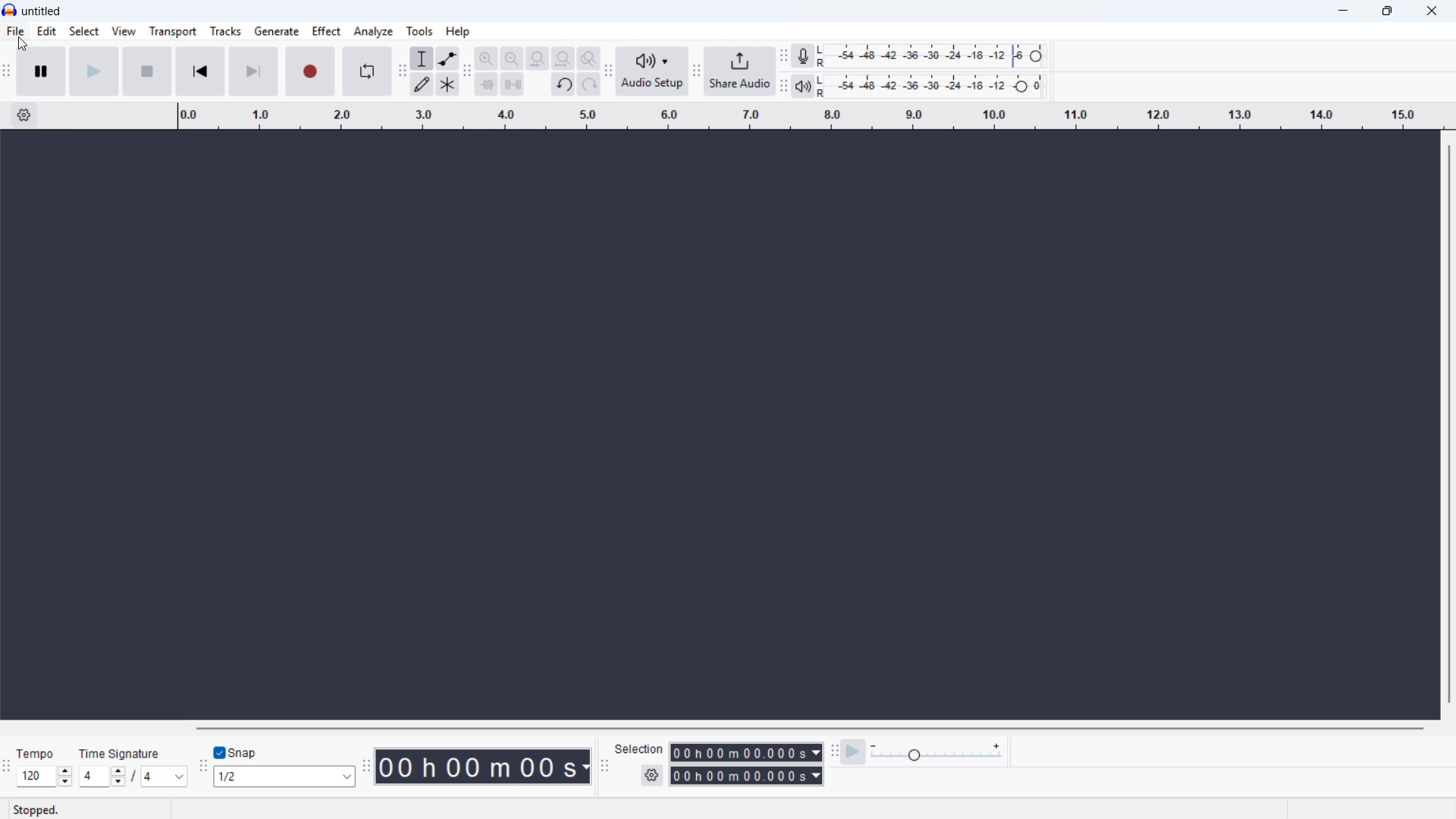 The image size is (1456, 819). I want to click on Close, so click(1432, 12).